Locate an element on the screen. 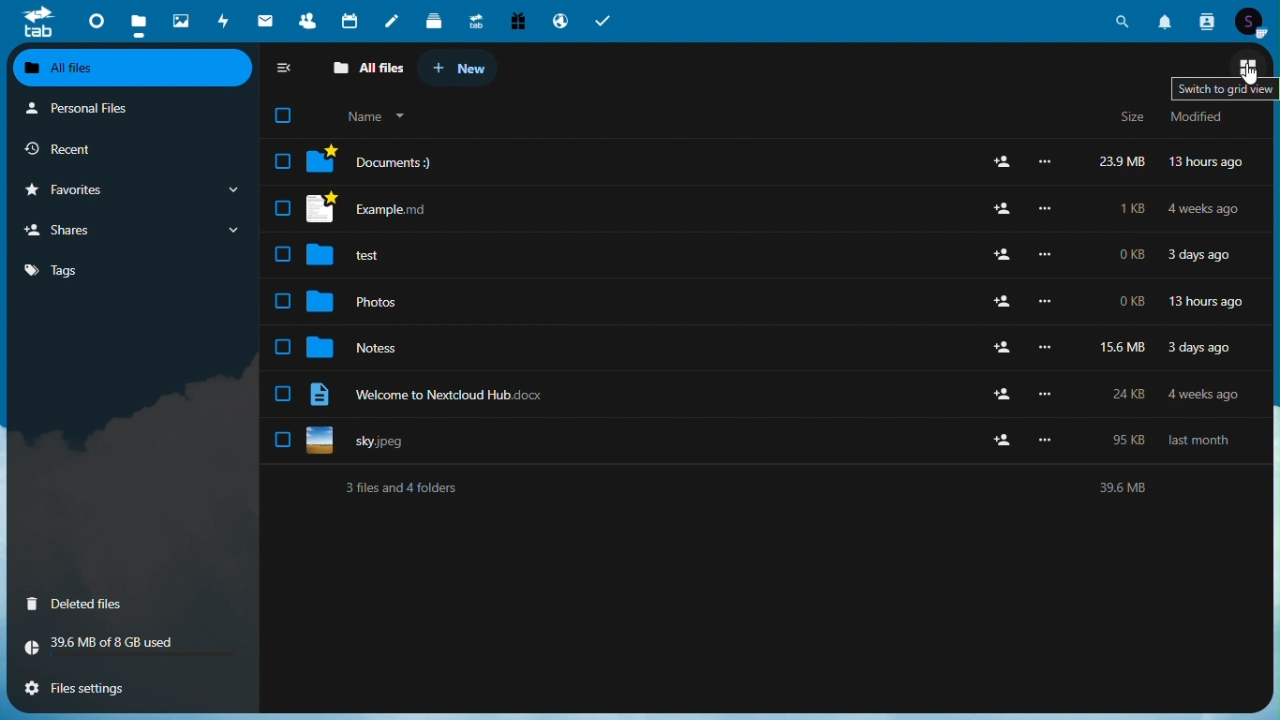 The height and width of the screenshot is (720, 1280). file is located at coordinates (320, 444).